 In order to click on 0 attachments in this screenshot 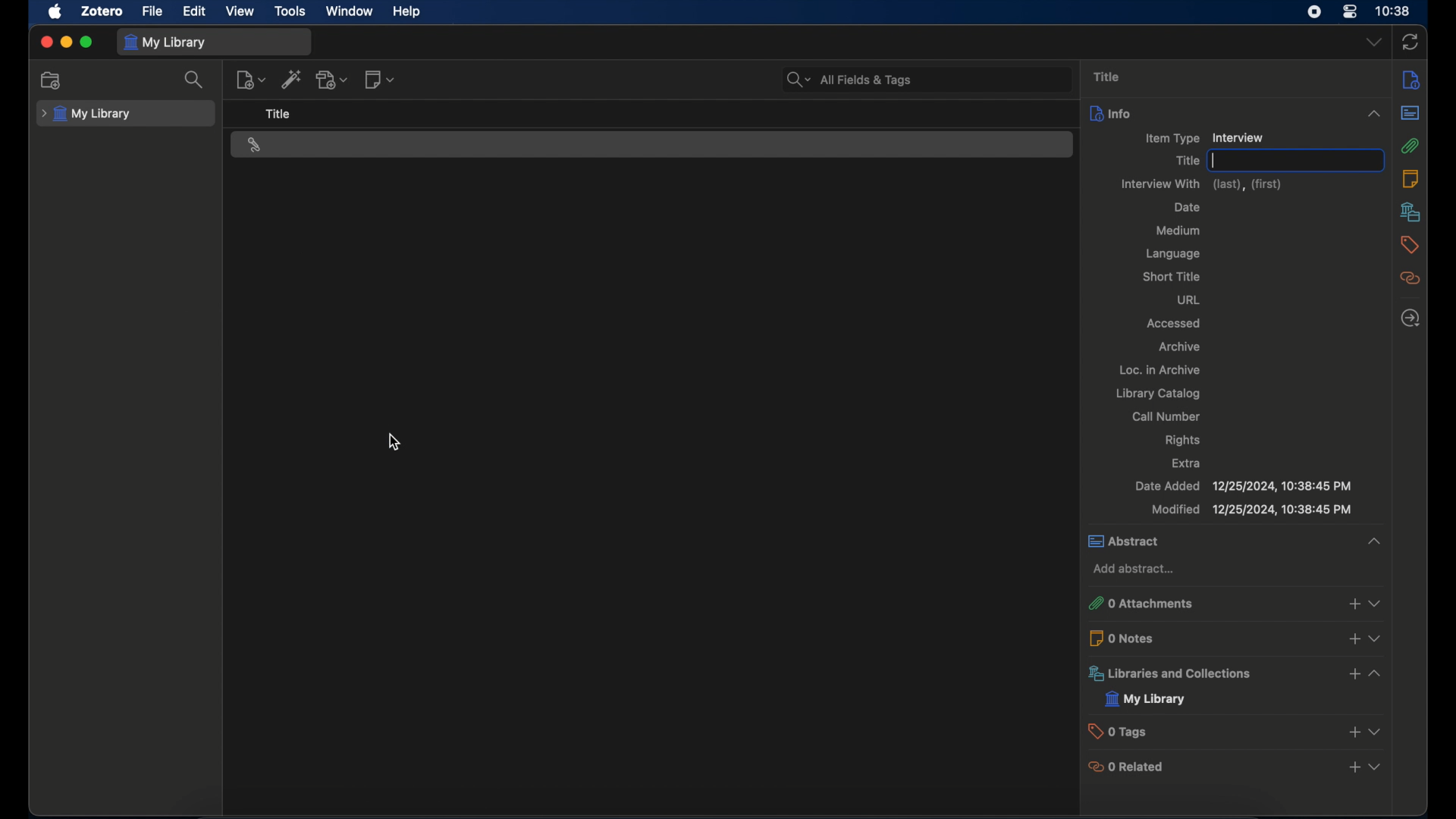, I will do `click(1145, 604)`.